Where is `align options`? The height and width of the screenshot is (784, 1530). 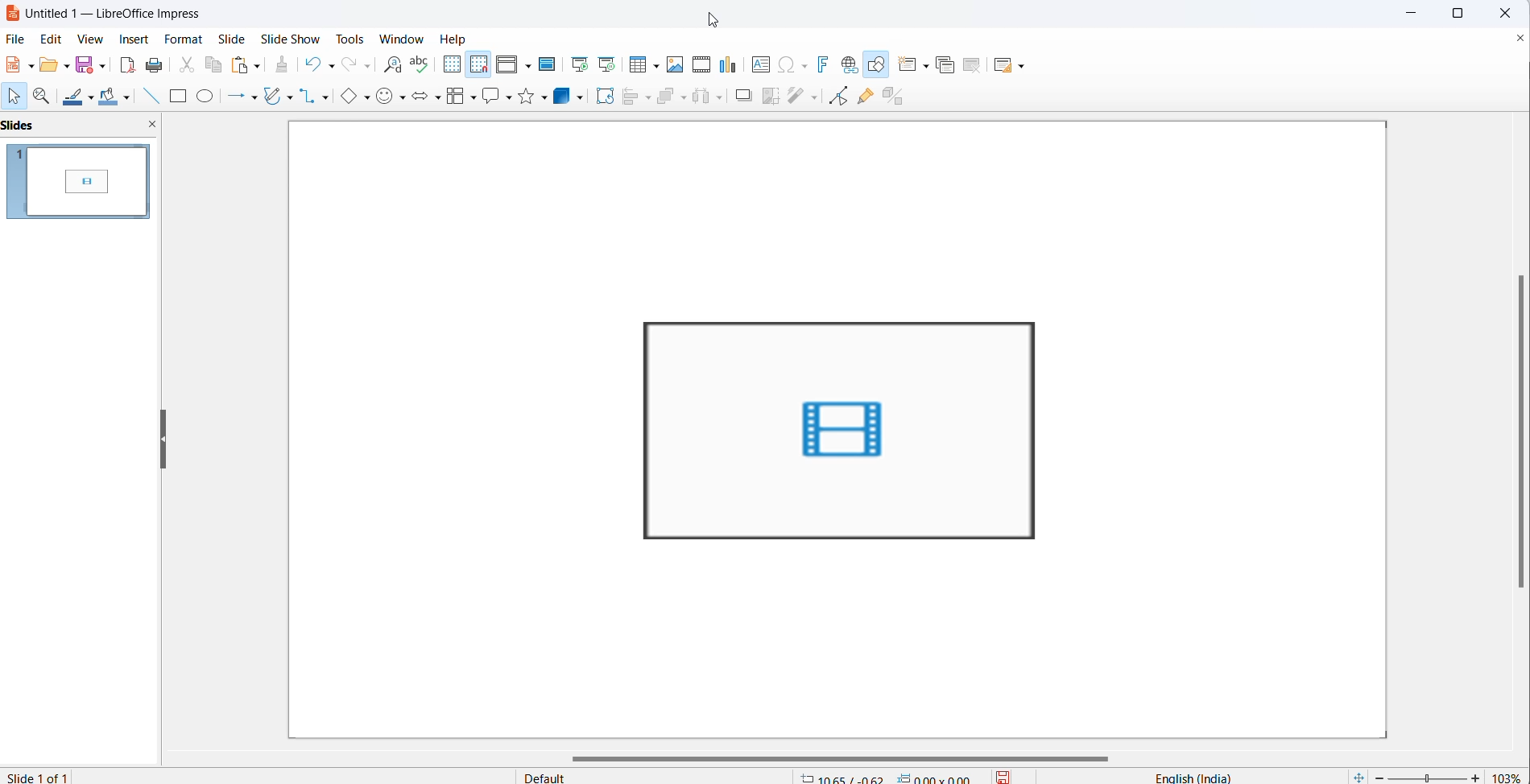
align options is located at coordinates (649, 99).